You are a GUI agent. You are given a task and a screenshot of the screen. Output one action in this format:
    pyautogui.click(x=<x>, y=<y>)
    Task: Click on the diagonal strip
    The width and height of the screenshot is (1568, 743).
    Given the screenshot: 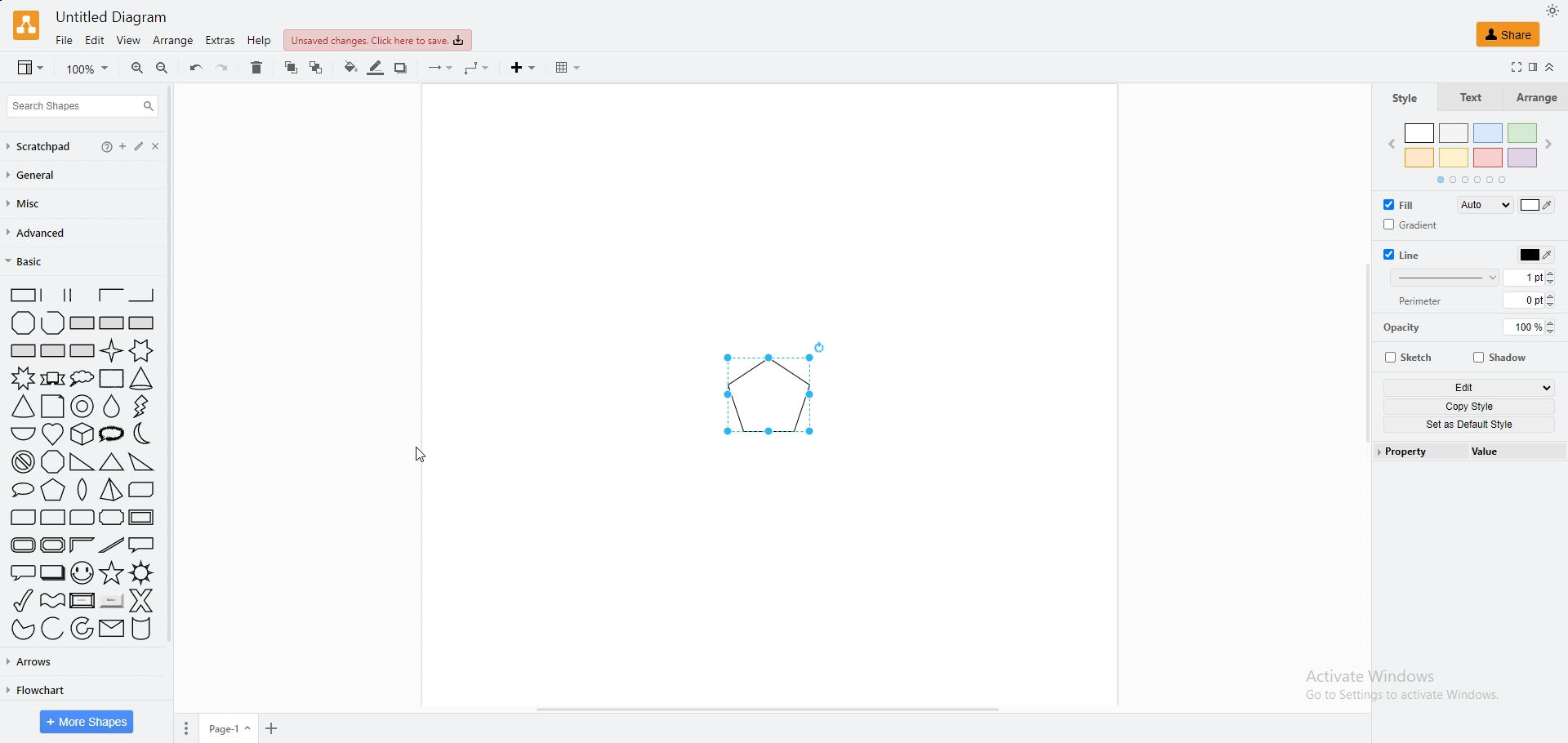 What is the action you would take?
    pyautogui.click(x=112, y=545)
    